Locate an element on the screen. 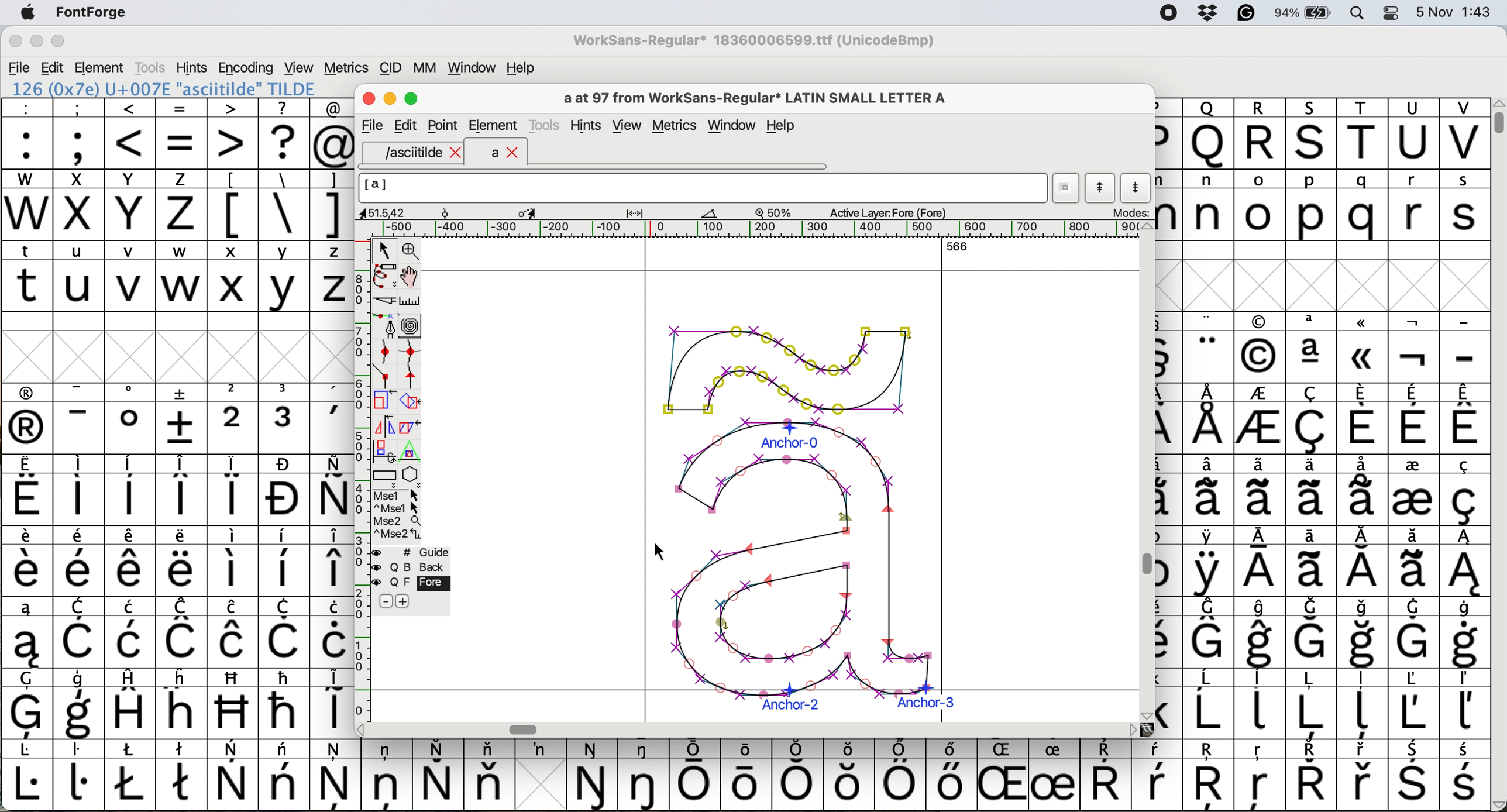 Image resolution: width=1507 pixels, height=812 pixels. scale selection is located at coordinates (386, 400).